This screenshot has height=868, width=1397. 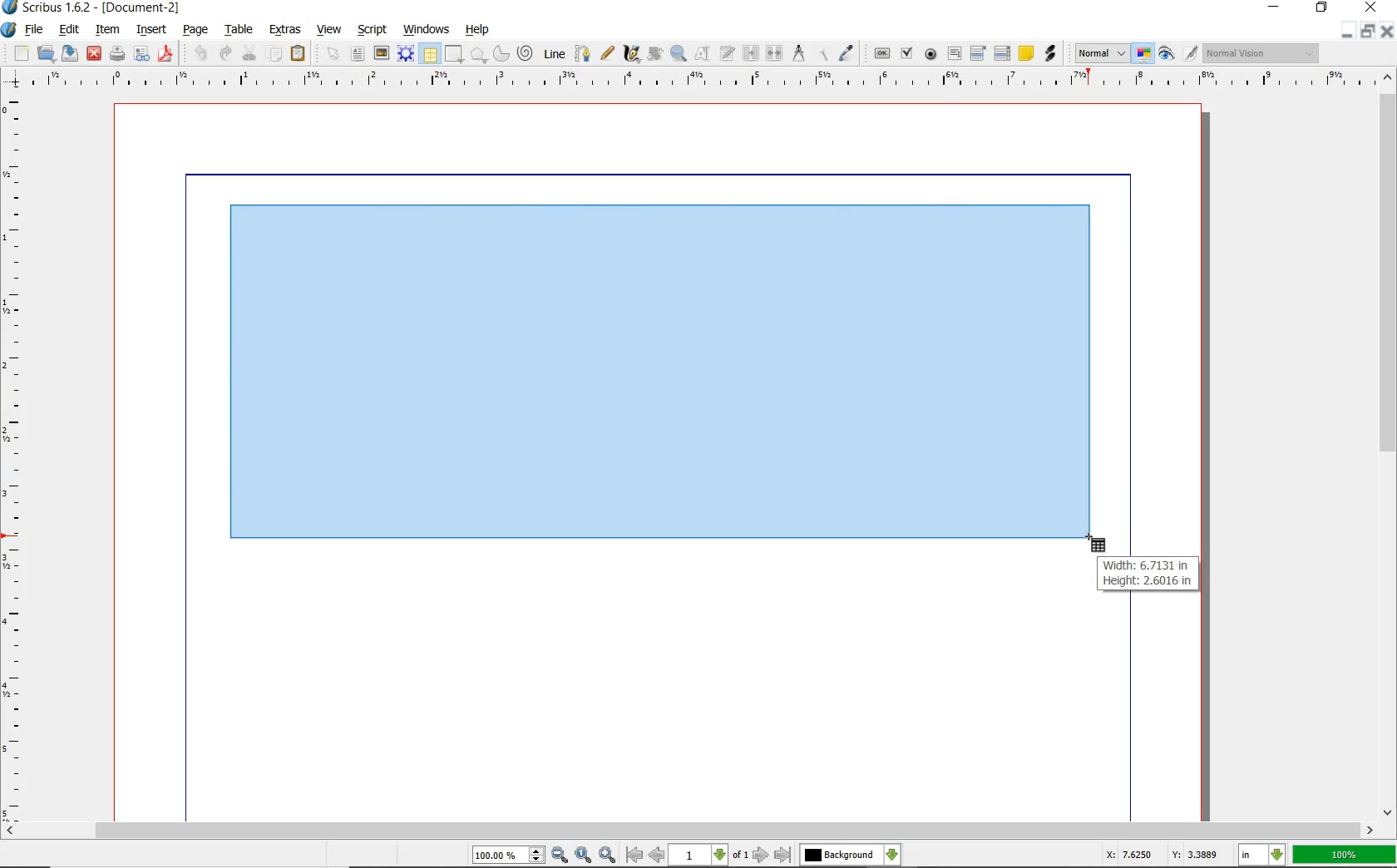 What do you see at coordinates (725, 55) in the screenshot?
I see `edit frame with story editor` at bounding box center [725, 55].